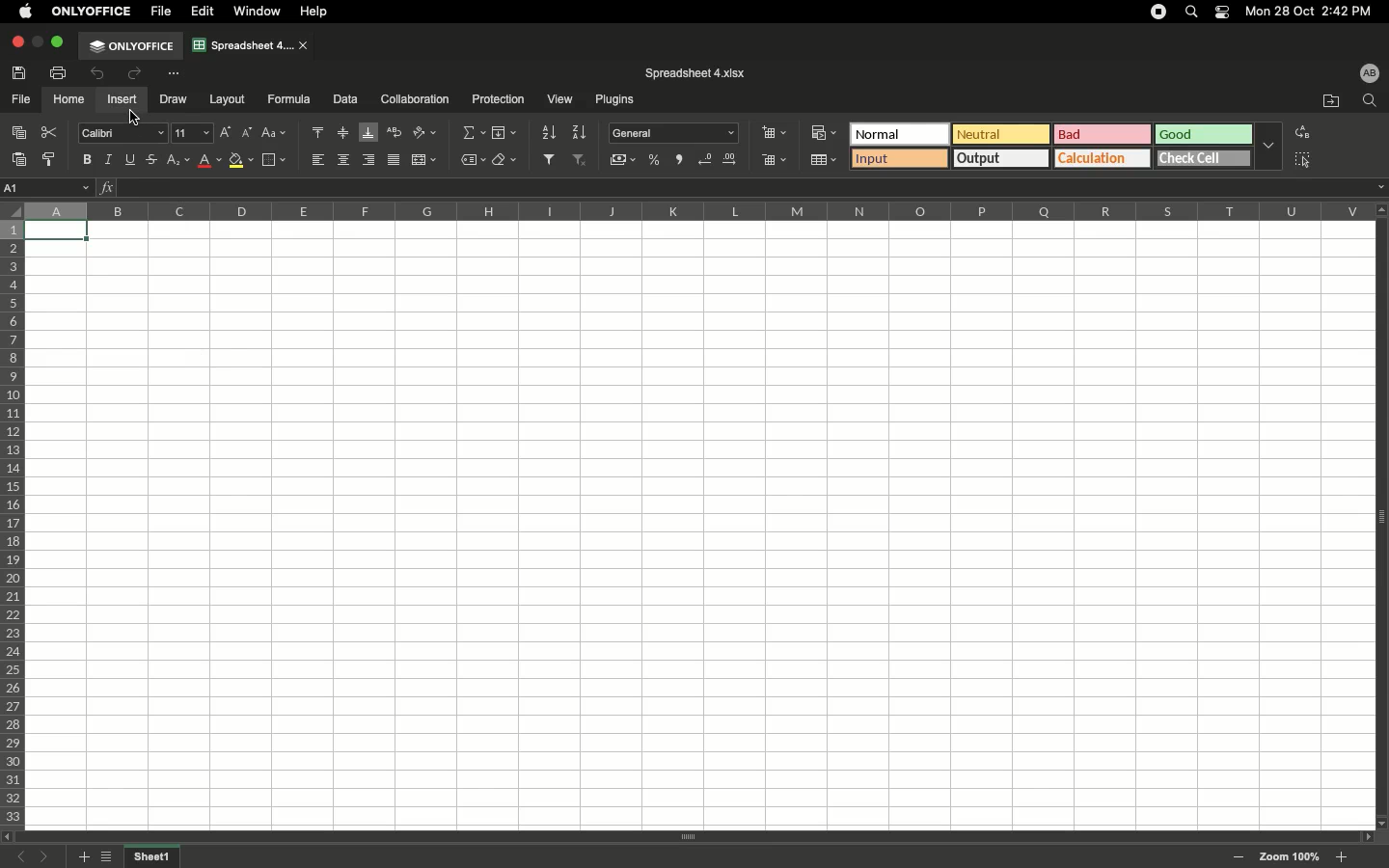  Describe the element at coordinates (51, 160) in the screenshot. I see `Copy style` at that location.